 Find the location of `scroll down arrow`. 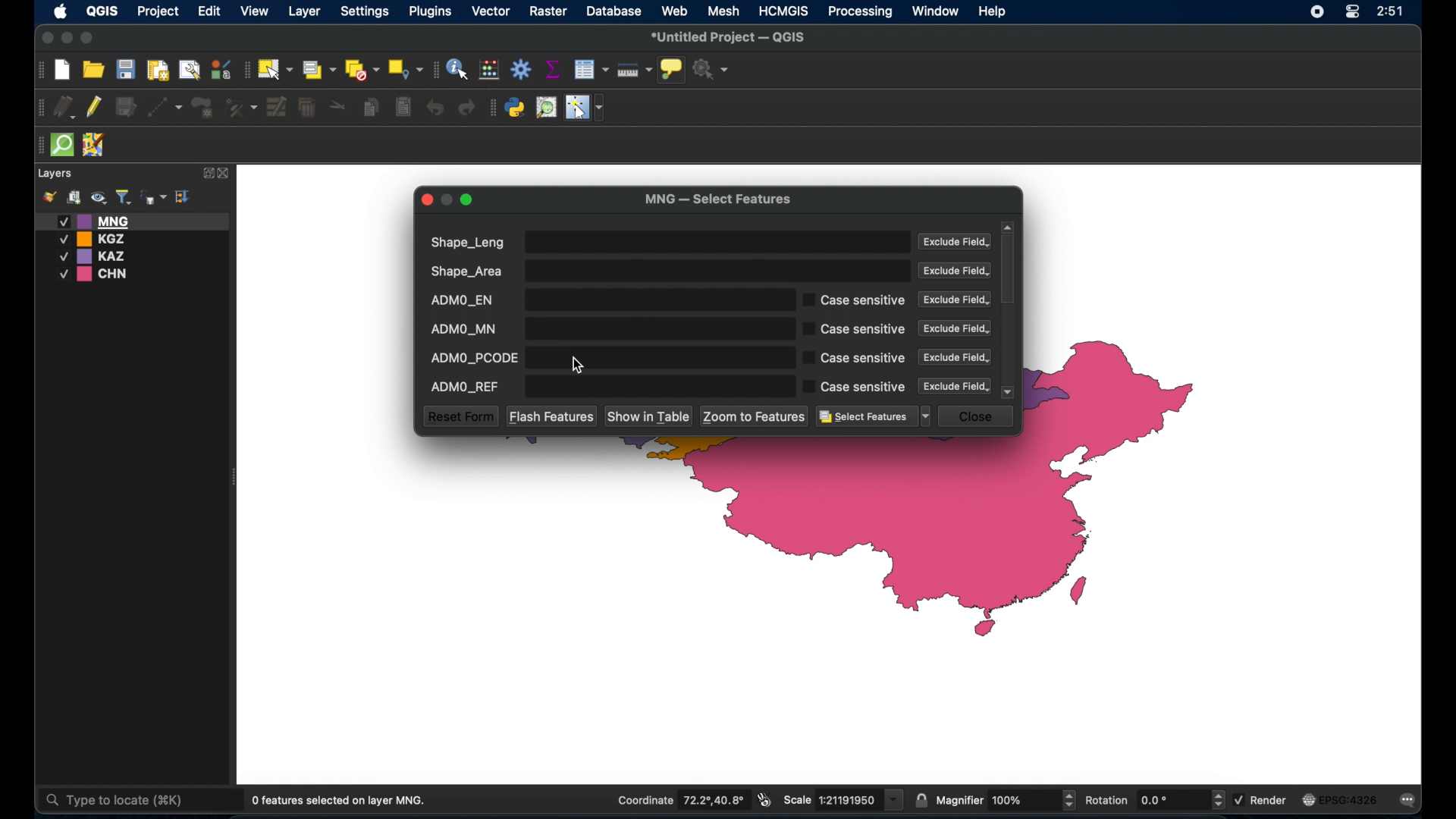

scroll down arrow is located at coordinates (1009, 392).